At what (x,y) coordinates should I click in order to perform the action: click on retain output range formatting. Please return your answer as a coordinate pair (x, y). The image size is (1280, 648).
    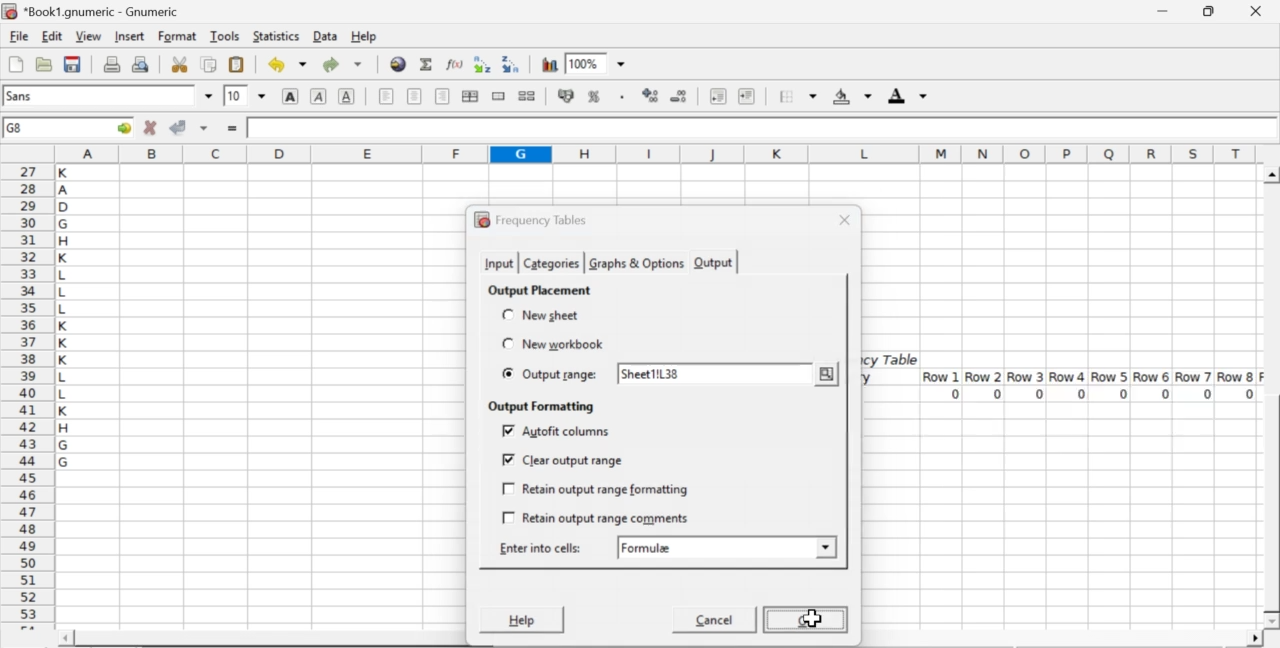
    Looking at the image, I should click on (596, 490).